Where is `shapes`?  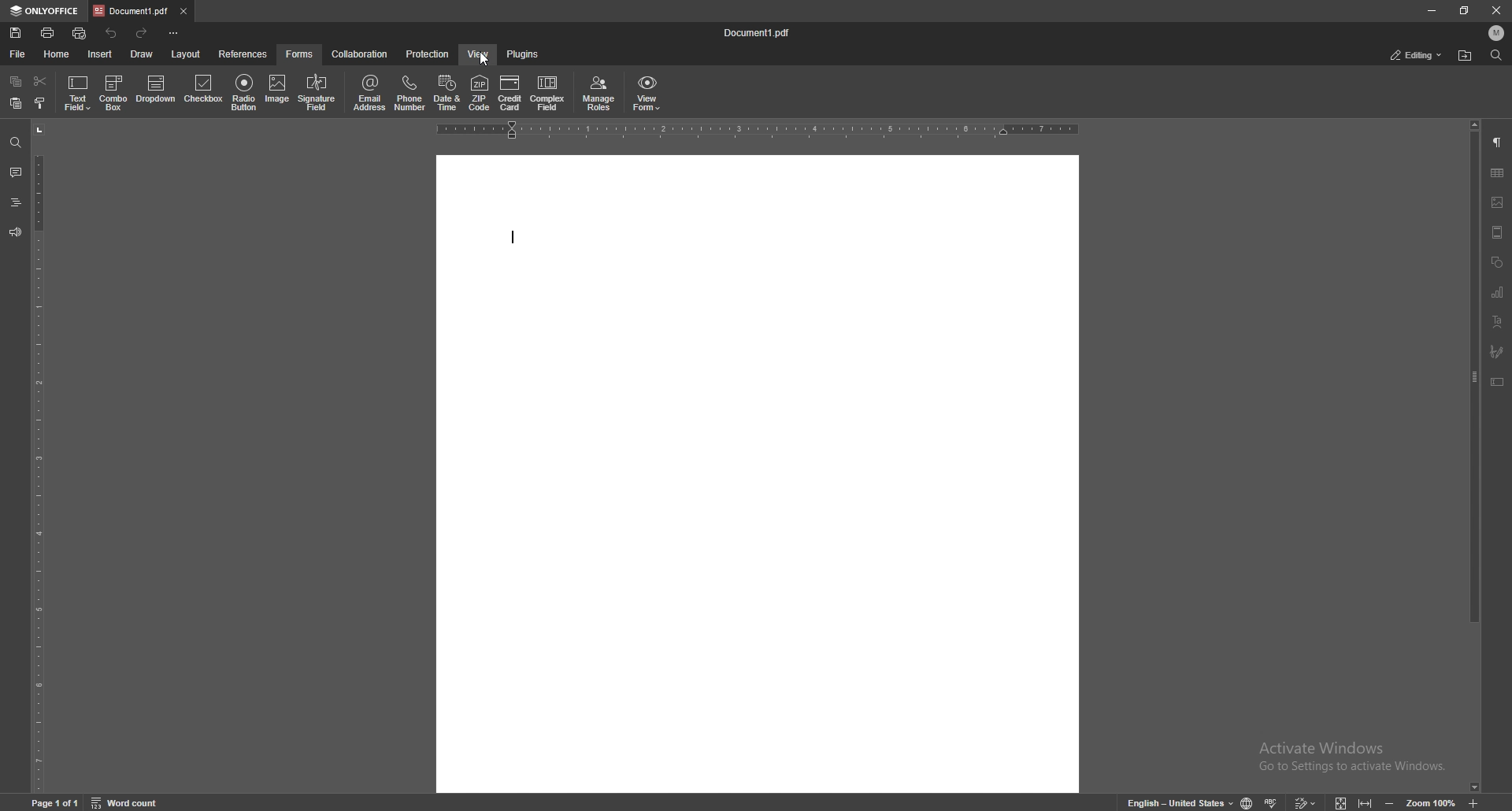 shapes is located at coordinates (1497, 262).